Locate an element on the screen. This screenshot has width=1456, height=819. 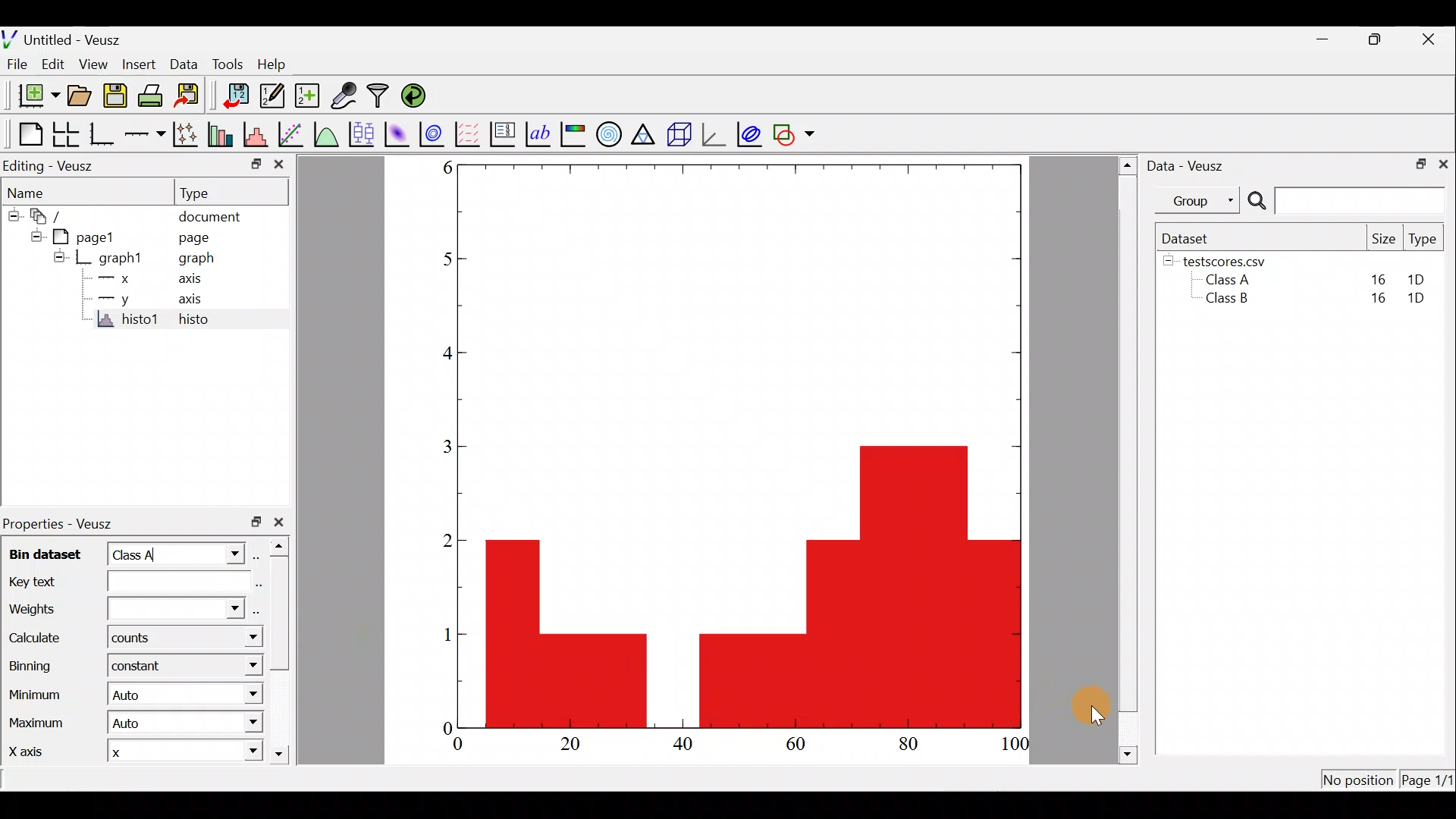
Maximum is located at coordinates (36, 726).